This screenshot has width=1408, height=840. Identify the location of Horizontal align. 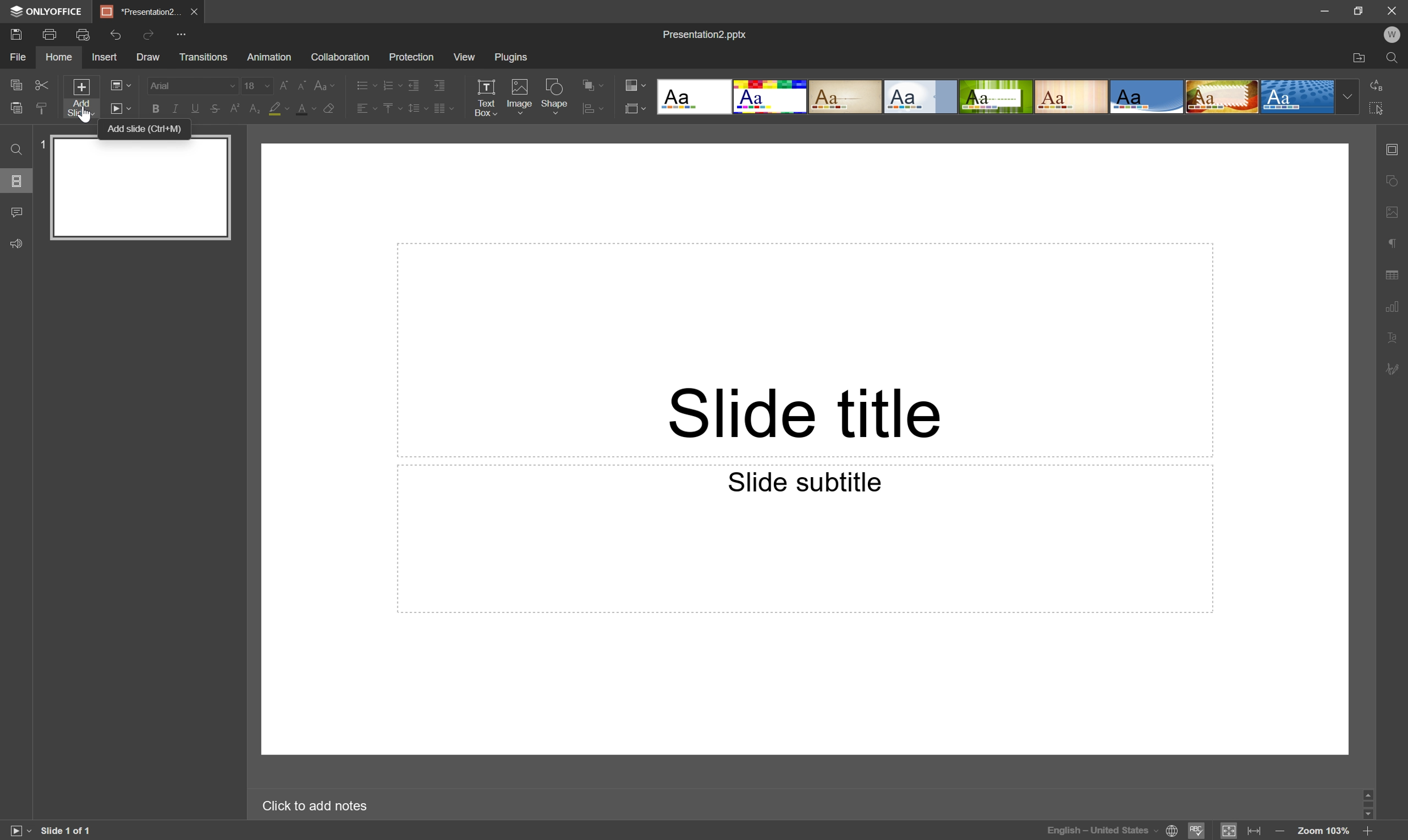
(360, 108).